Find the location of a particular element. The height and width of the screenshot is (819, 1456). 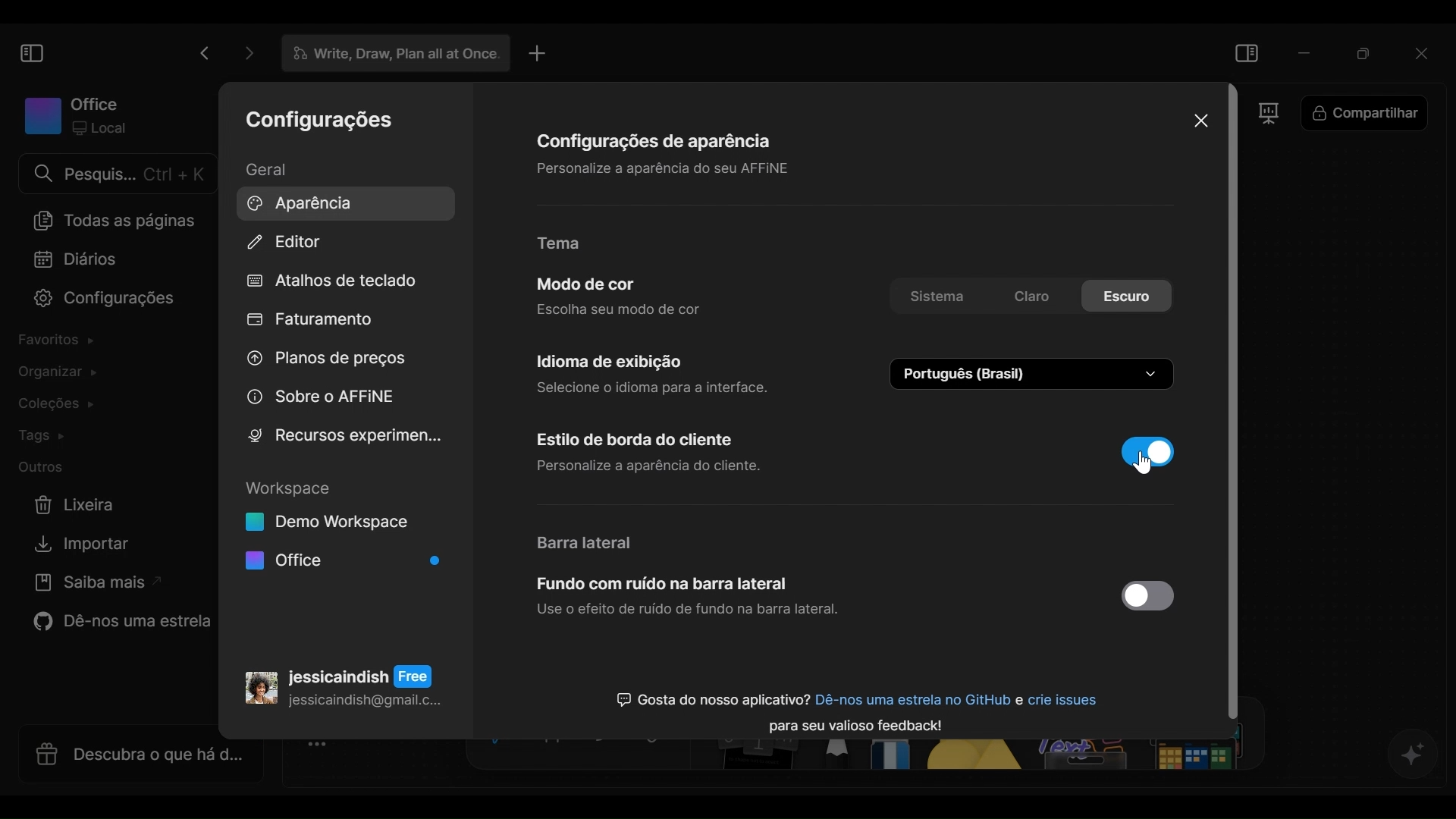

Other is located at coordinates (43, 468).